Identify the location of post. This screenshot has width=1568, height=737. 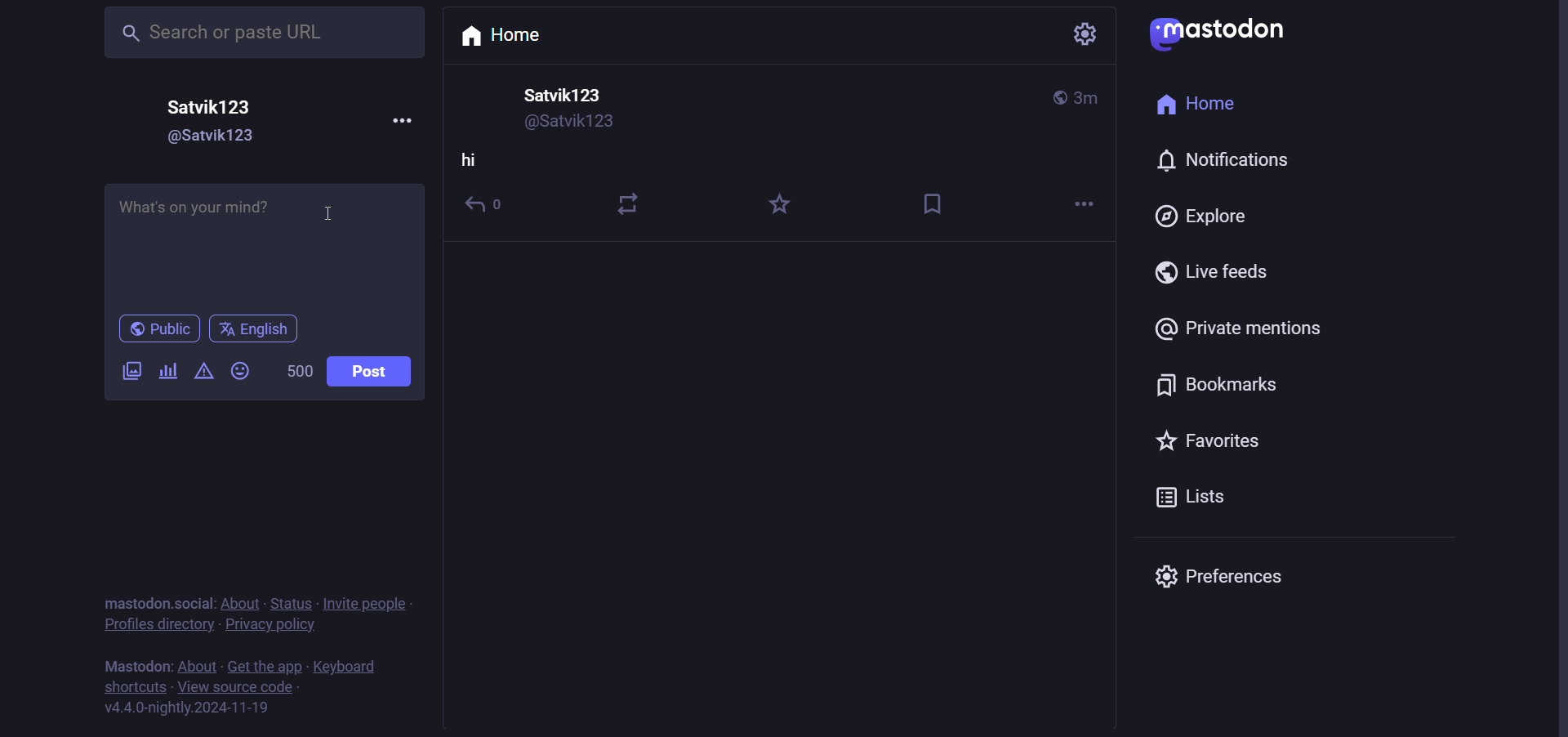
(373, 373).